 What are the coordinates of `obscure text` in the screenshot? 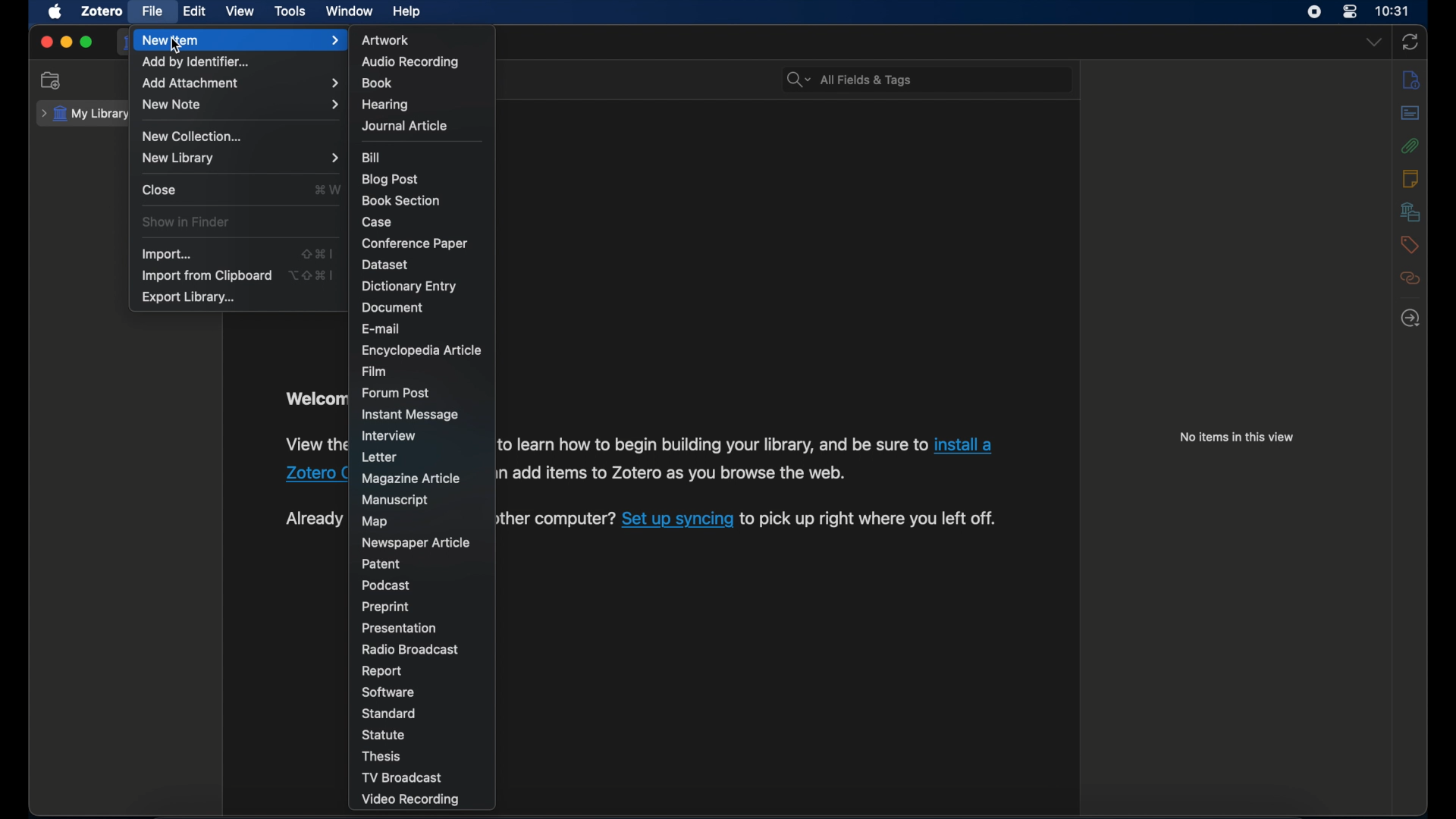 It's located at (313, 399).